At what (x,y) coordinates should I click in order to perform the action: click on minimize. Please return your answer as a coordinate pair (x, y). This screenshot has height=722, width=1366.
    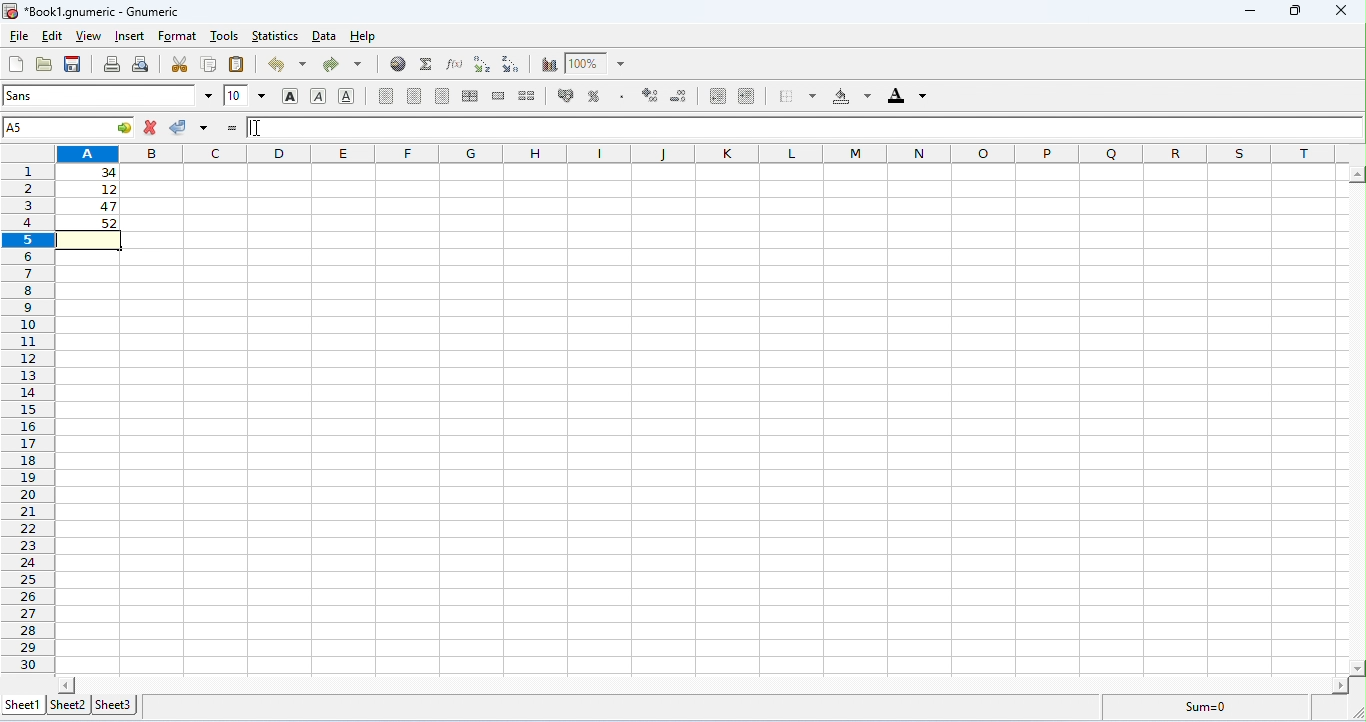
    Looking at the image, I should click on (1254, 13).